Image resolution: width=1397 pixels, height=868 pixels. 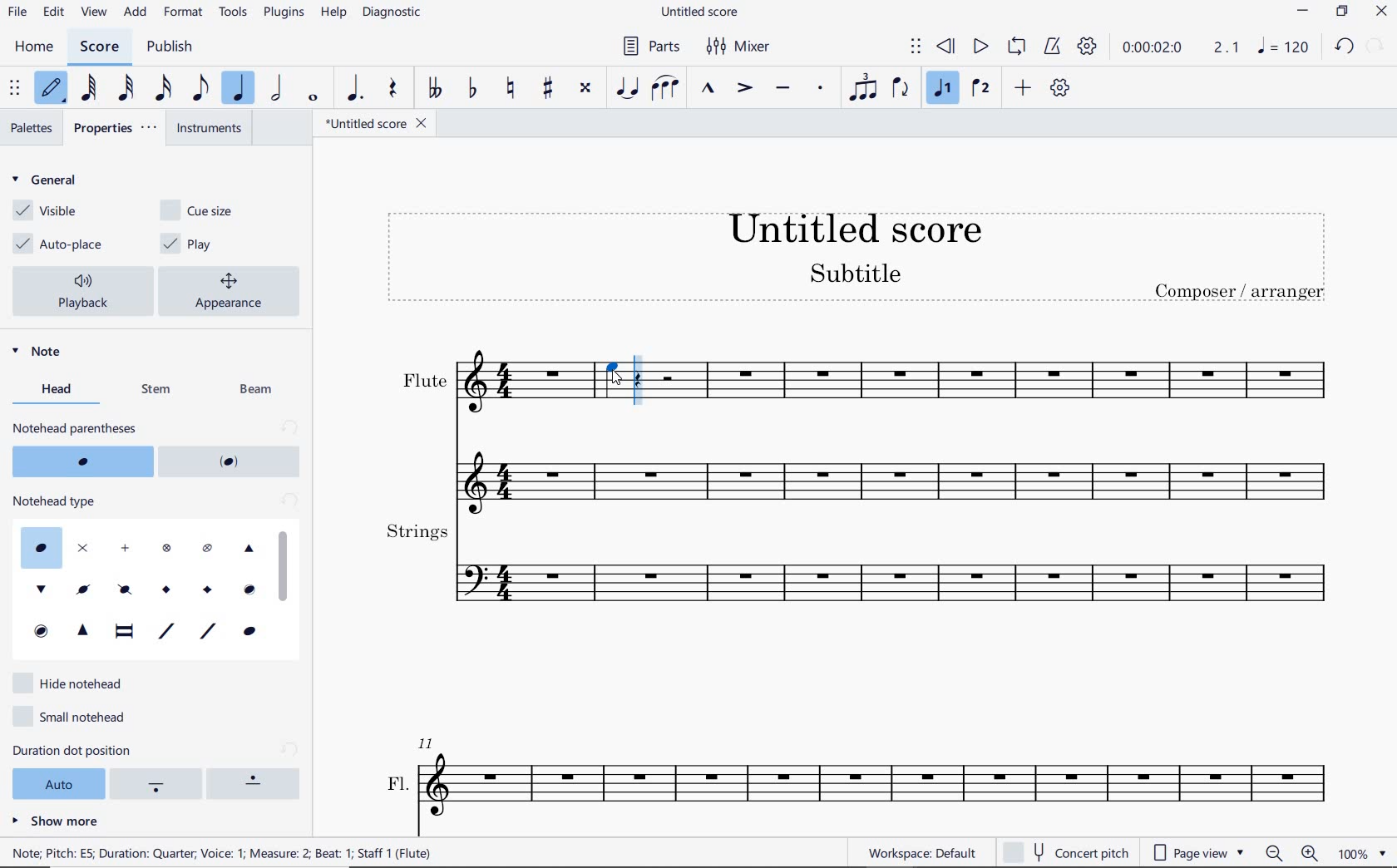 What do you see at coordinates (654, 47) in the screenshot?
I see `PARTS` at bounding box center [654, 47].